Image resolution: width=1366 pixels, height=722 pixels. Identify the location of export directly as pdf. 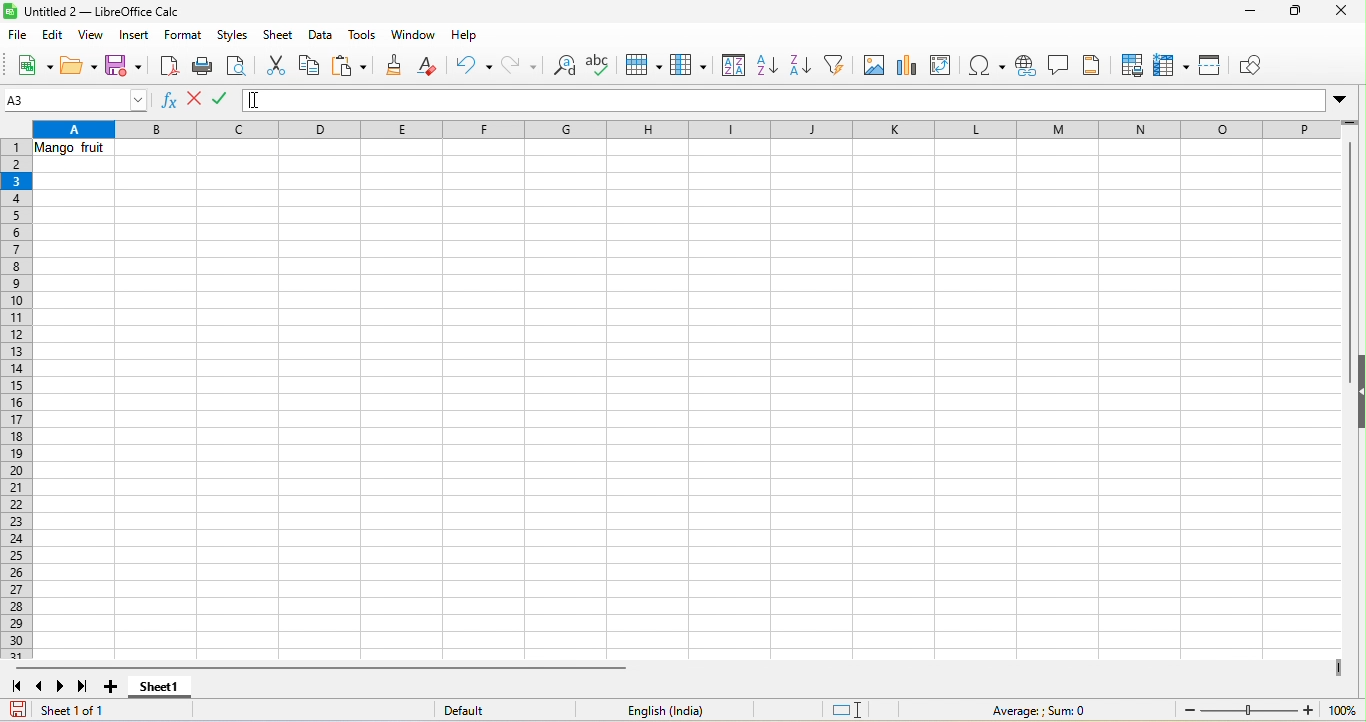
(168, 64).